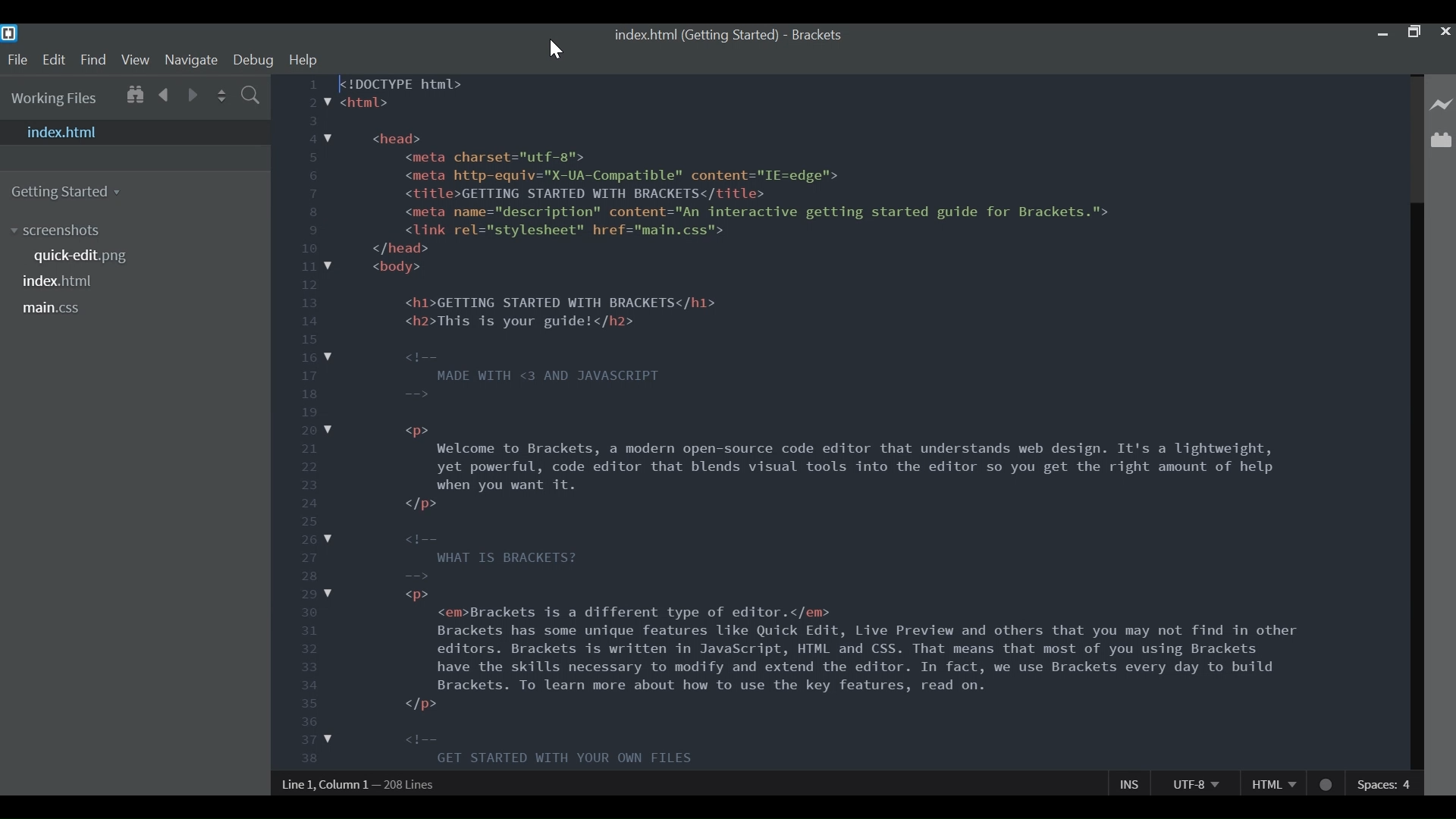 Image resolution: width=1456 pixels, height=819 pixels. I want to click on Split the Editor Vertically or Horizontally, so click(220, 93).